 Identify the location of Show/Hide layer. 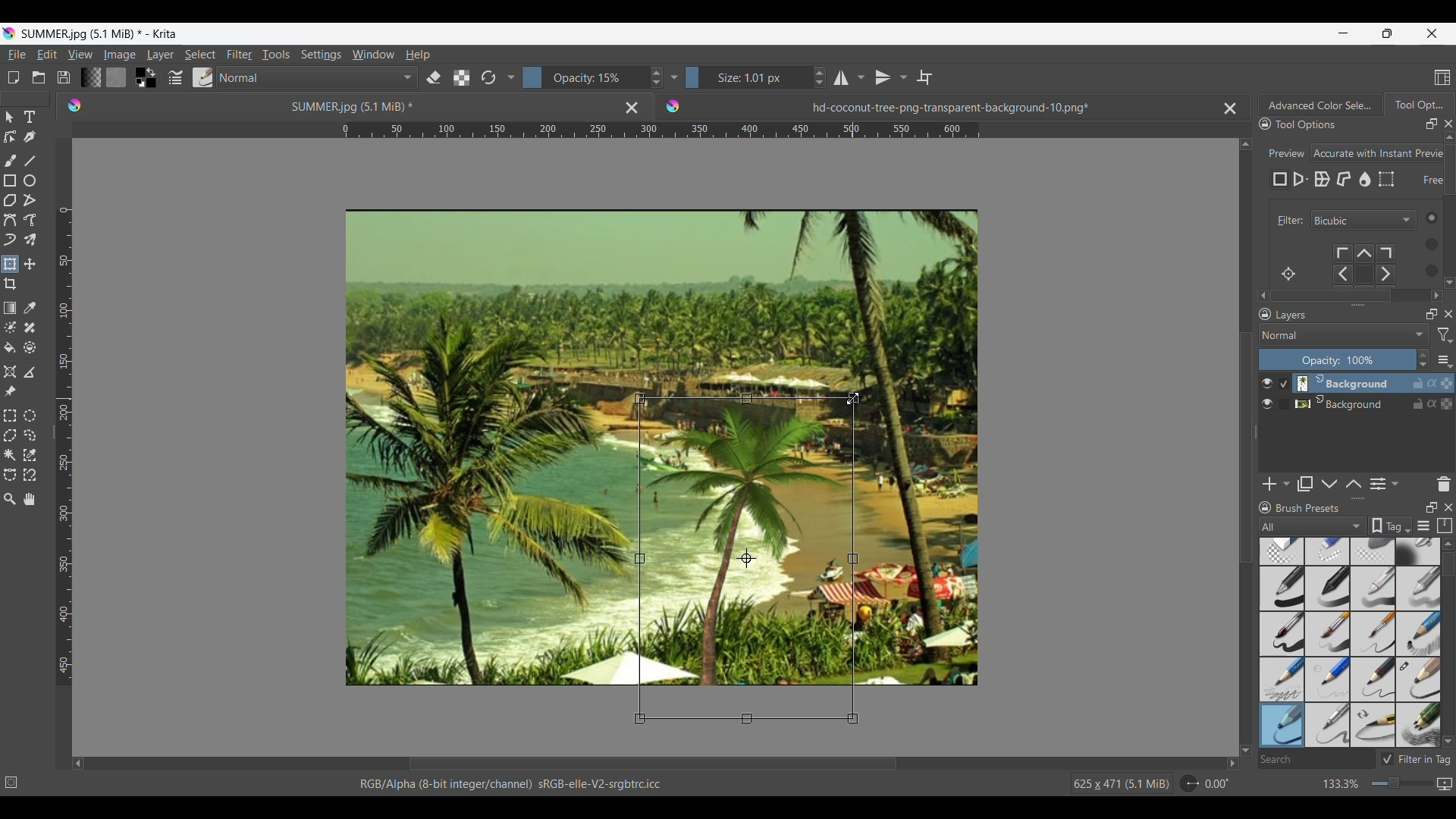
(1268, 404).